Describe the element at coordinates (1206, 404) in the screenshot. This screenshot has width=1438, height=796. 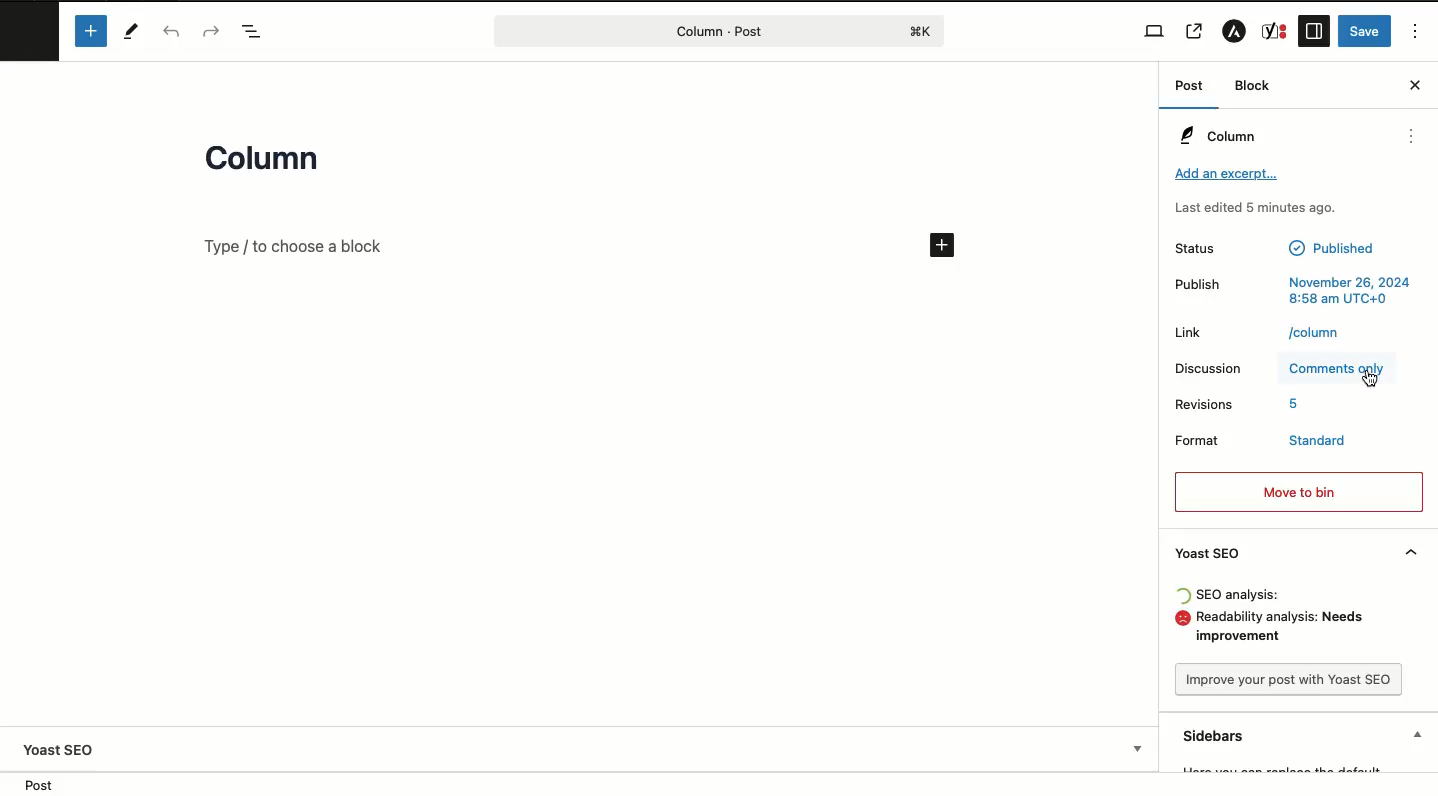
I see `Revisions` at that location.